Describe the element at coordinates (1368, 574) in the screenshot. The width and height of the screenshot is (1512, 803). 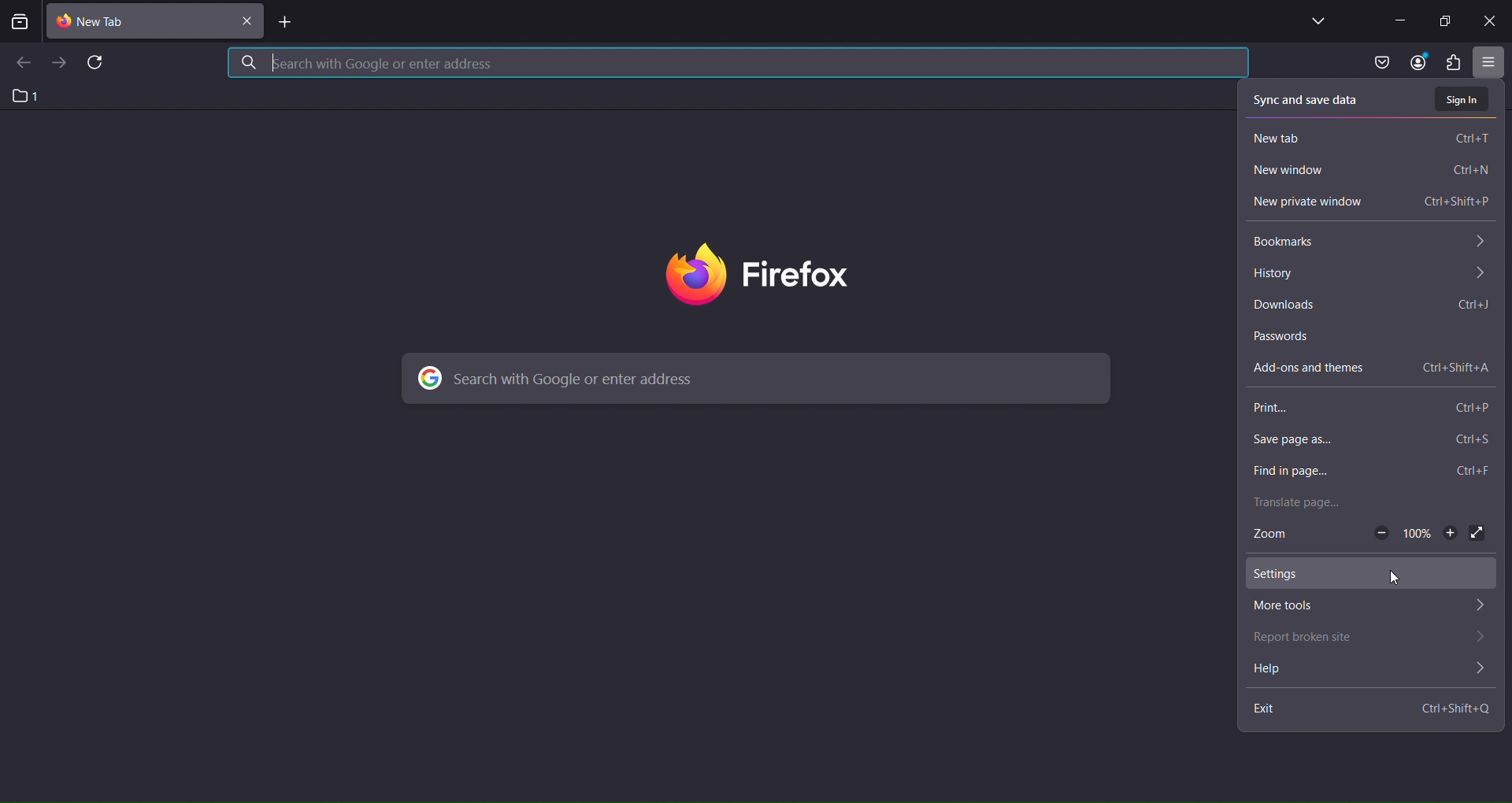
I see `settings` at that location.